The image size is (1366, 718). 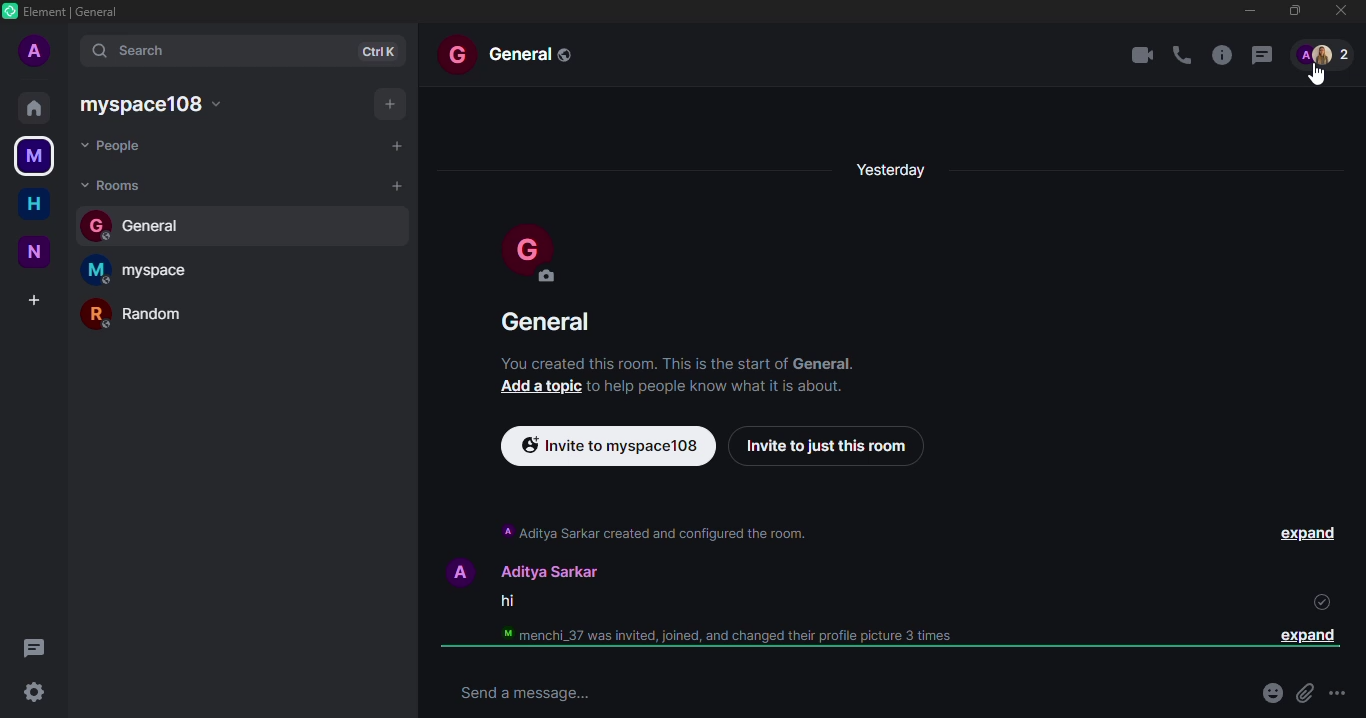 What do you see at coordinates (1337, 694) in the screenshot?
I see `more` at bounding box center [1337, 694].